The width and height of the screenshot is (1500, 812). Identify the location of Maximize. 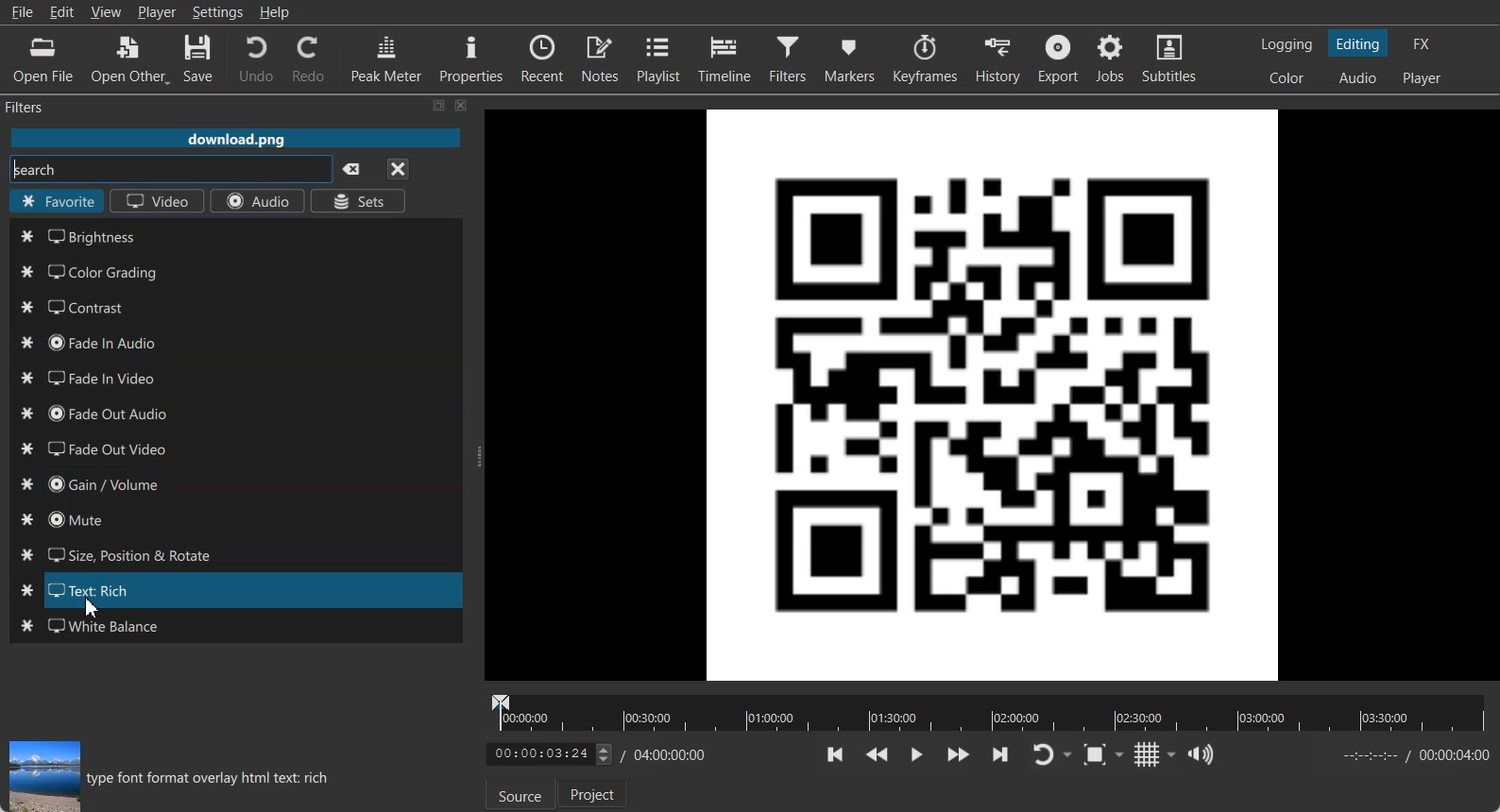
(439, 105).